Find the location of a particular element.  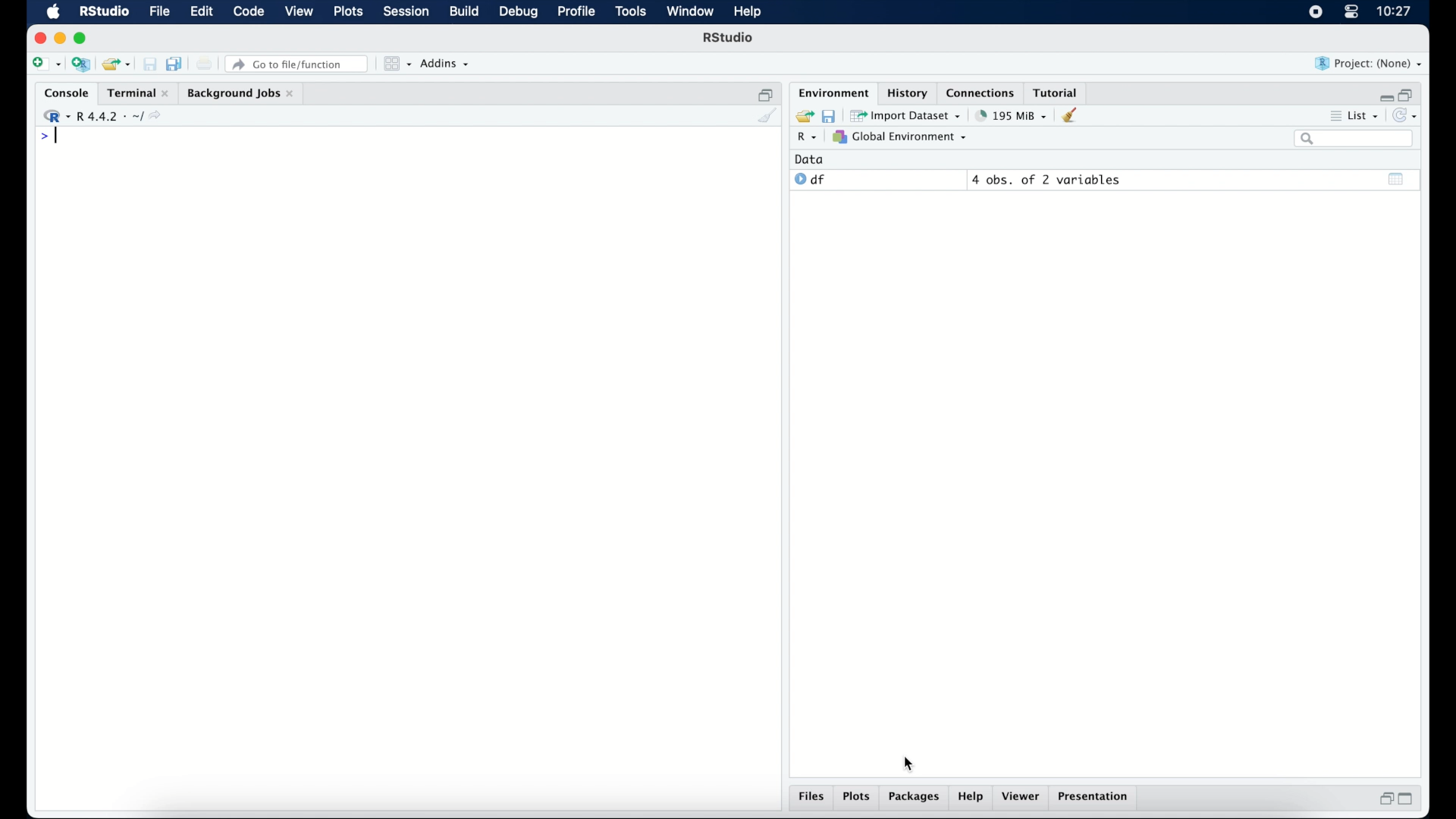

minimize is located at coordinates (1384, 94).